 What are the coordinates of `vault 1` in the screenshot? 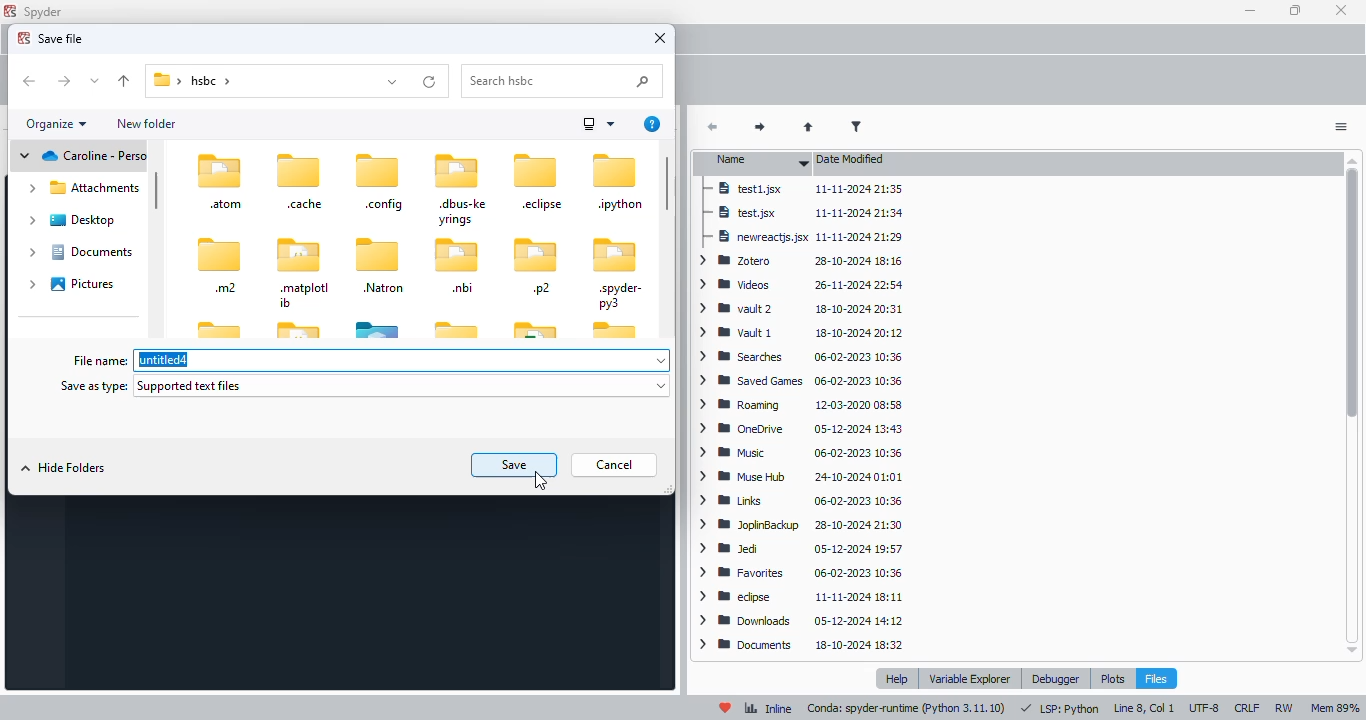 It's located at (733, 333).